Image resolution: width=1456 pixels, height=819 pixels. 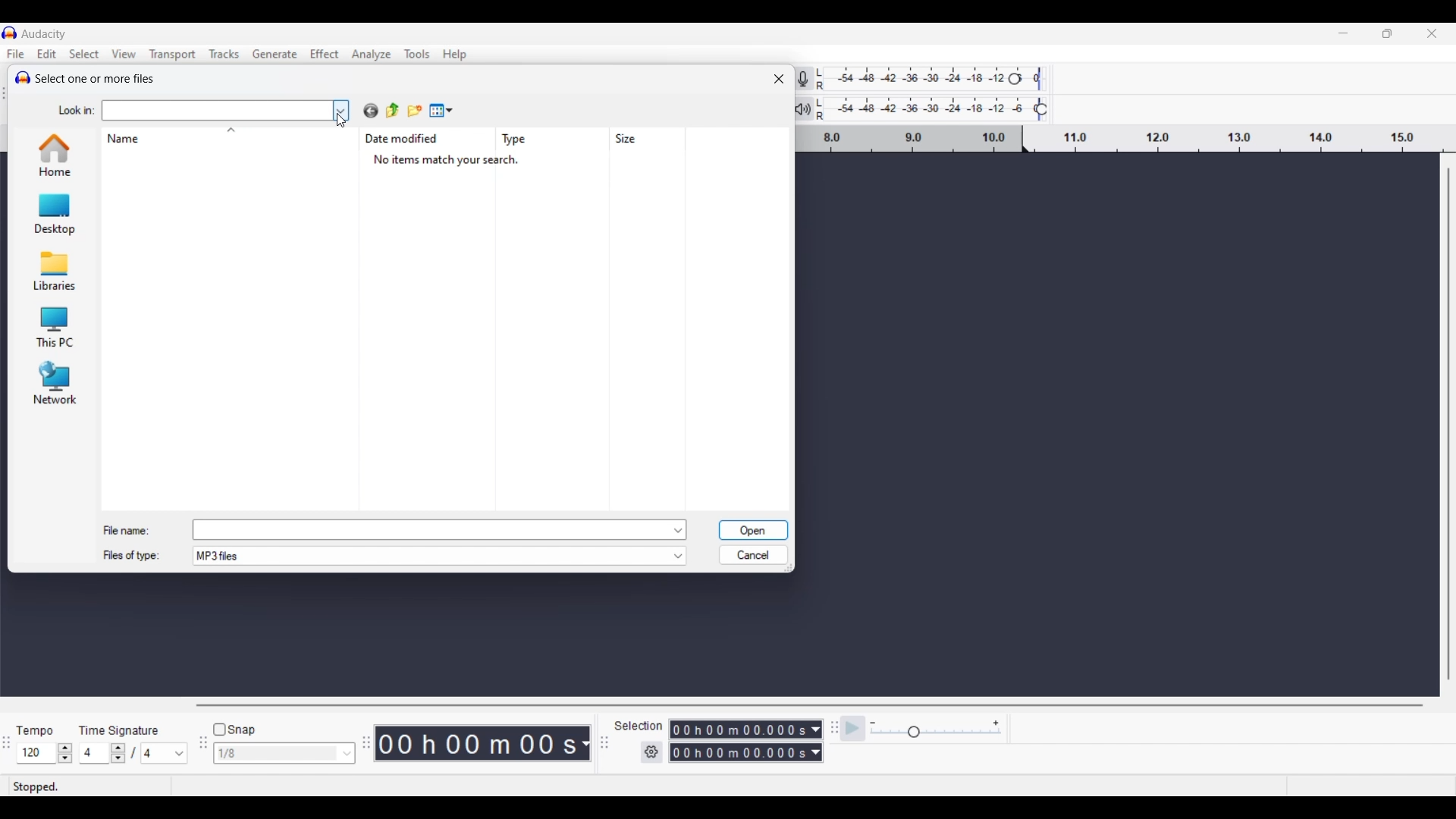 What do you see at coordinates (748, 727) in the screenshot?
I see `00h00m00.000s` at bounding box center [748, 727].